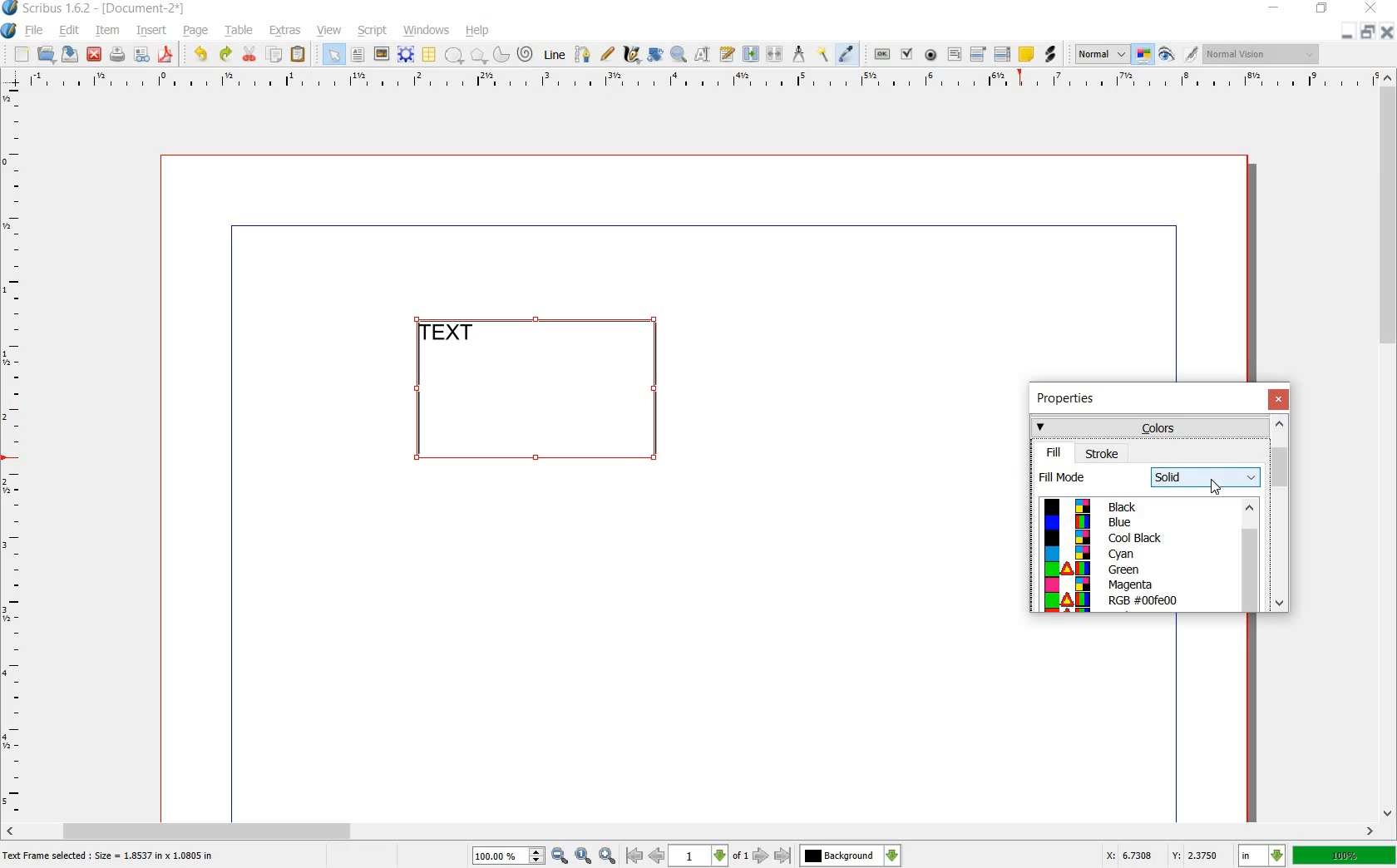  What do you see at coordinates (584, 856) in the screenshot?
I see `zoom to` at bounding box center [584, 856].